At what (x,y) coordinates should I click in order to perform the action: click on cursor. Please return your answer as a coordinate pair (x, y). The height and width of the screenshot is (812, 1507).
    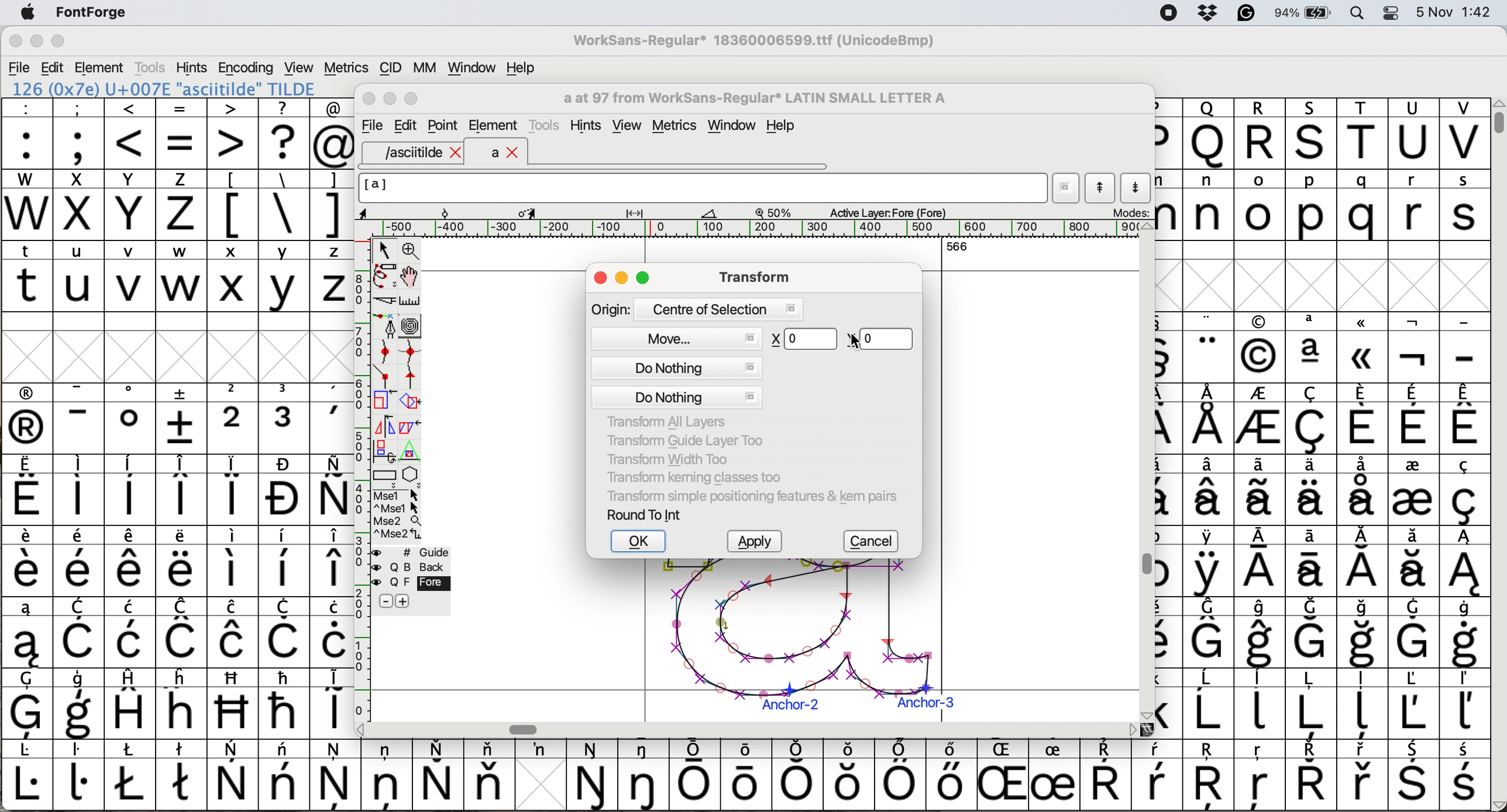
    Looking at the image, I should click on (521, 133).